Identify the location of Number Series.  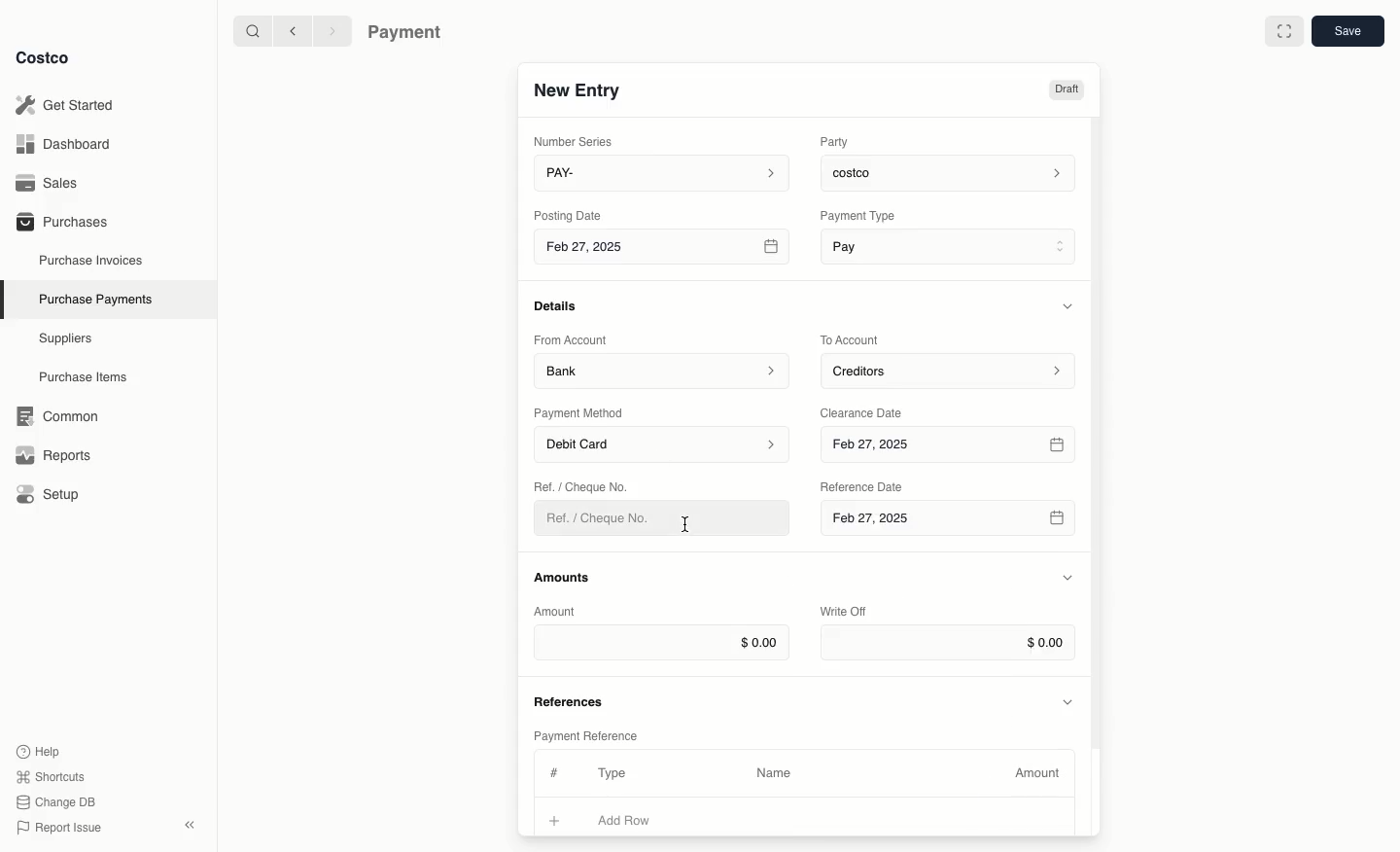
(577, 141).